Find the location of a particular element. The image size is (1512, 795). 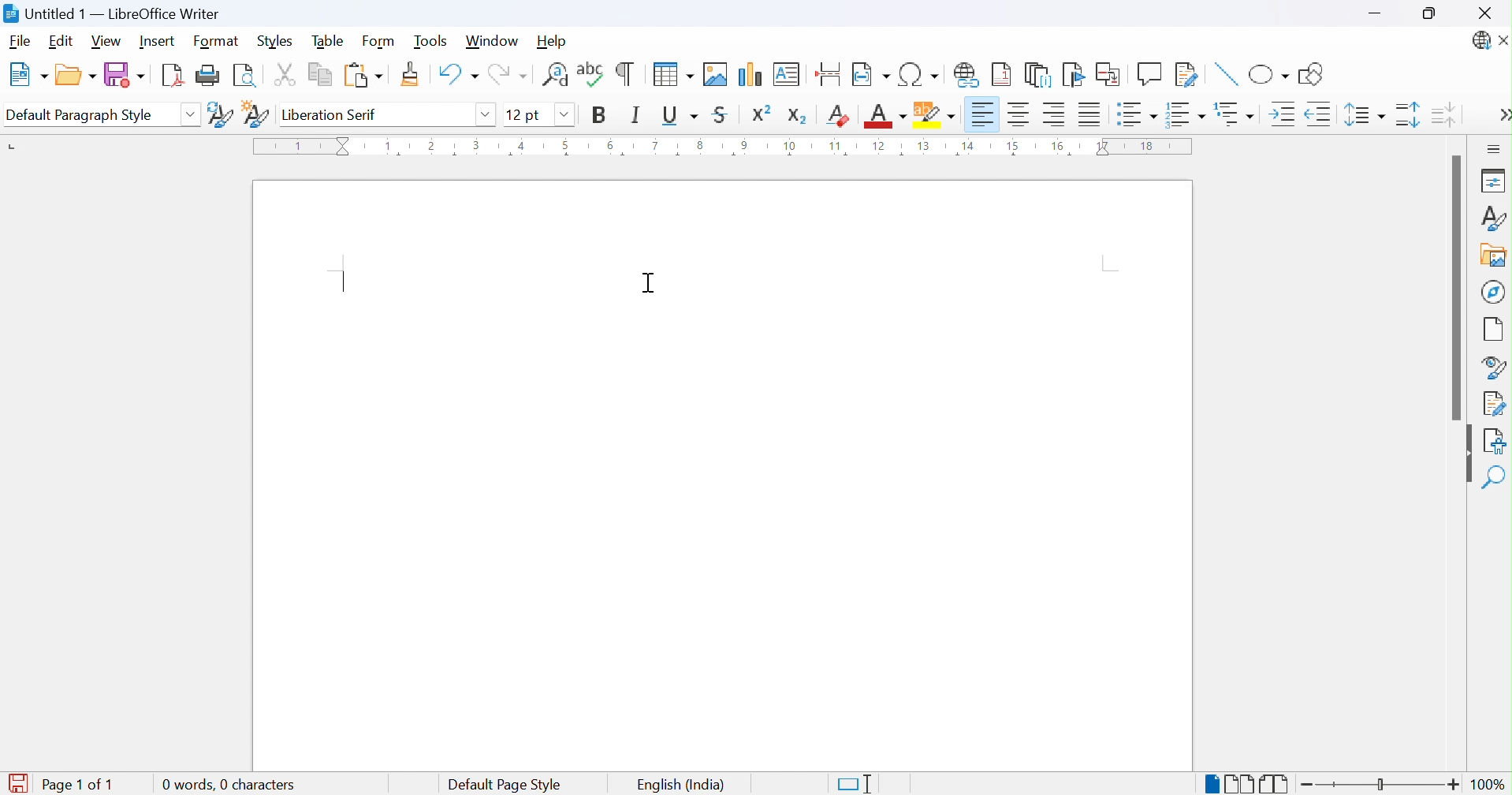

Ruler is located at coordinates (728, 146).